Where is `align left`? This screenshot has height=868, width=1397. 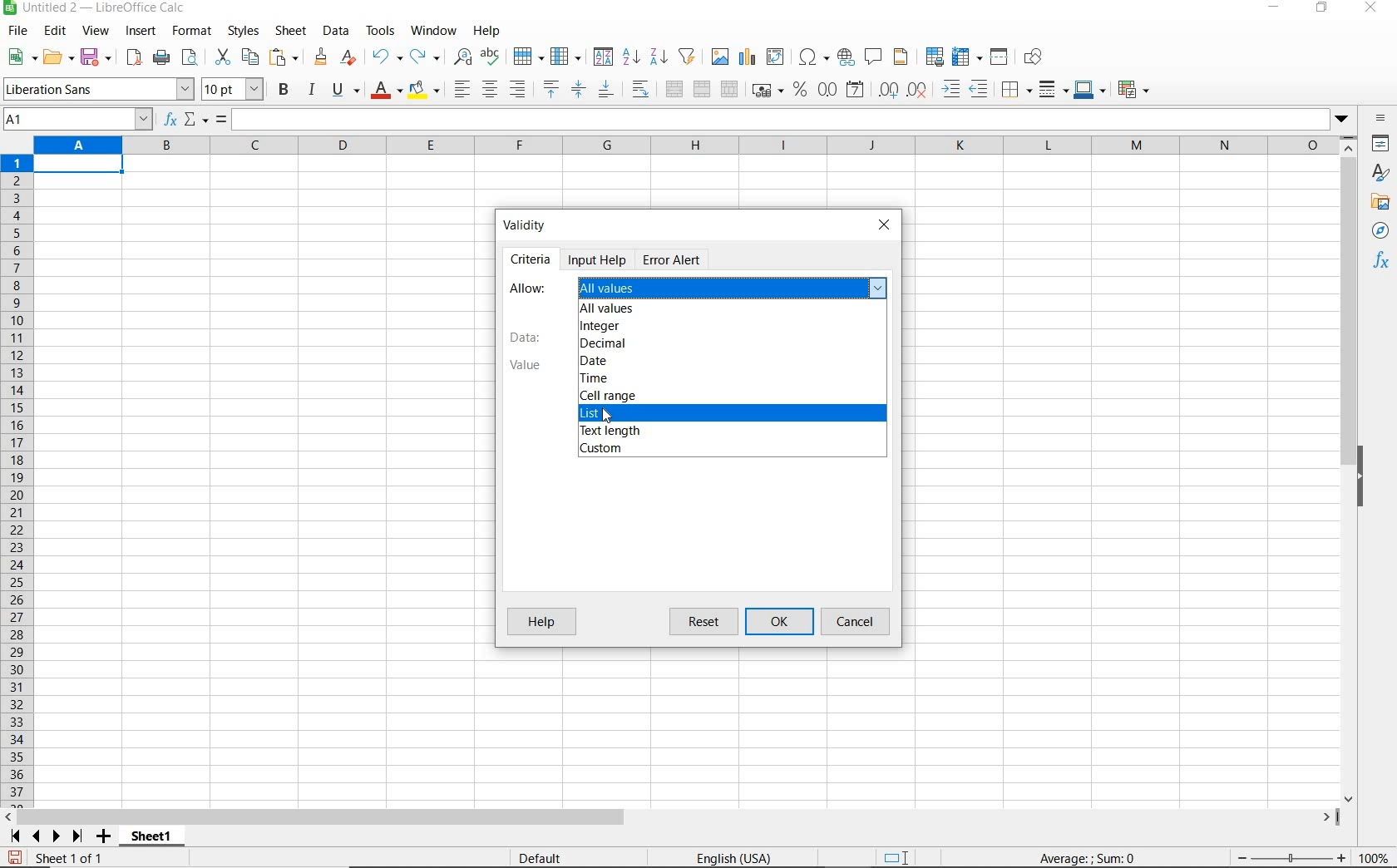 align left is located at coordinates (461, 91).